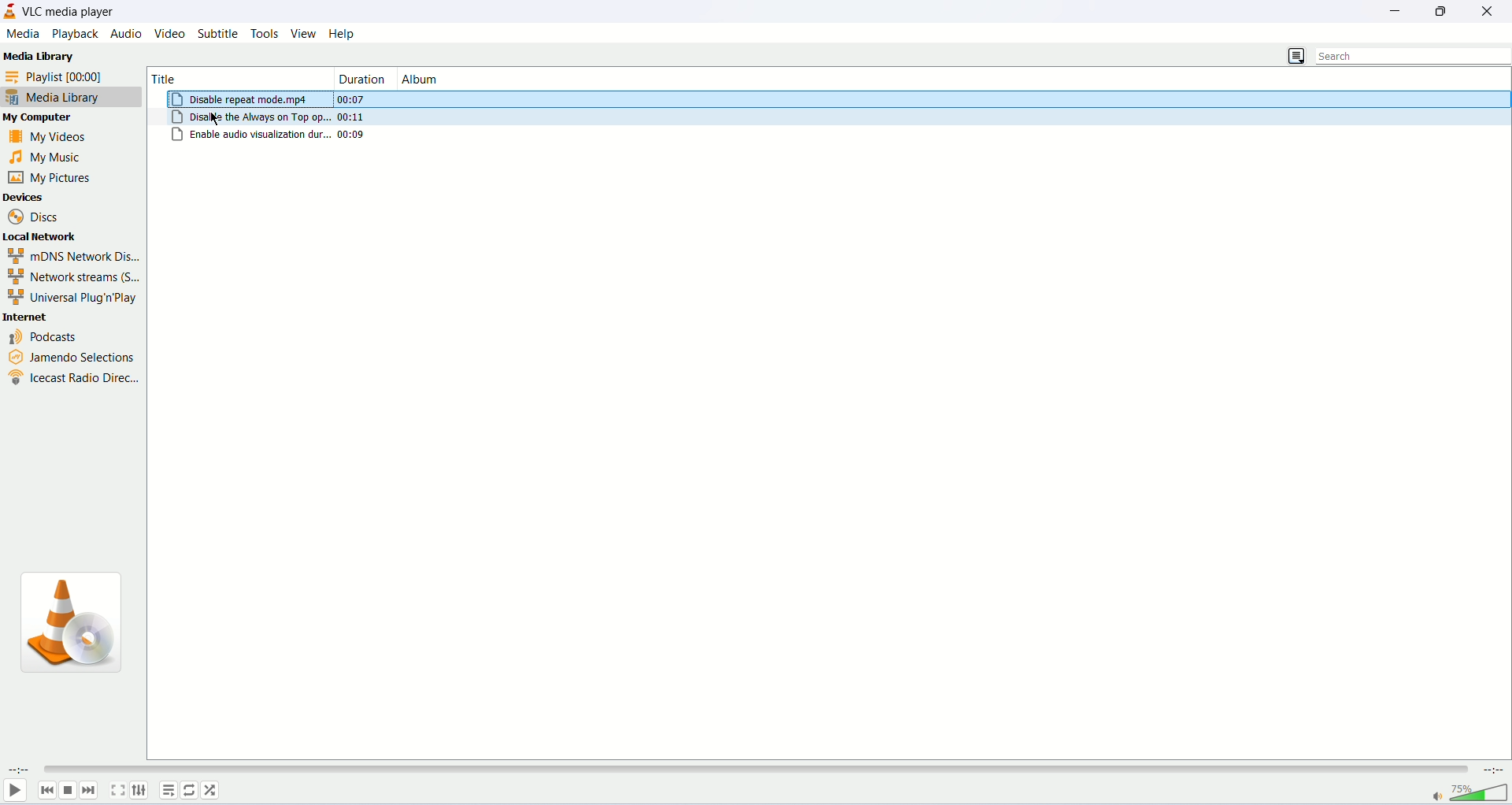  I want to click on 00:11, so click(350, 117).